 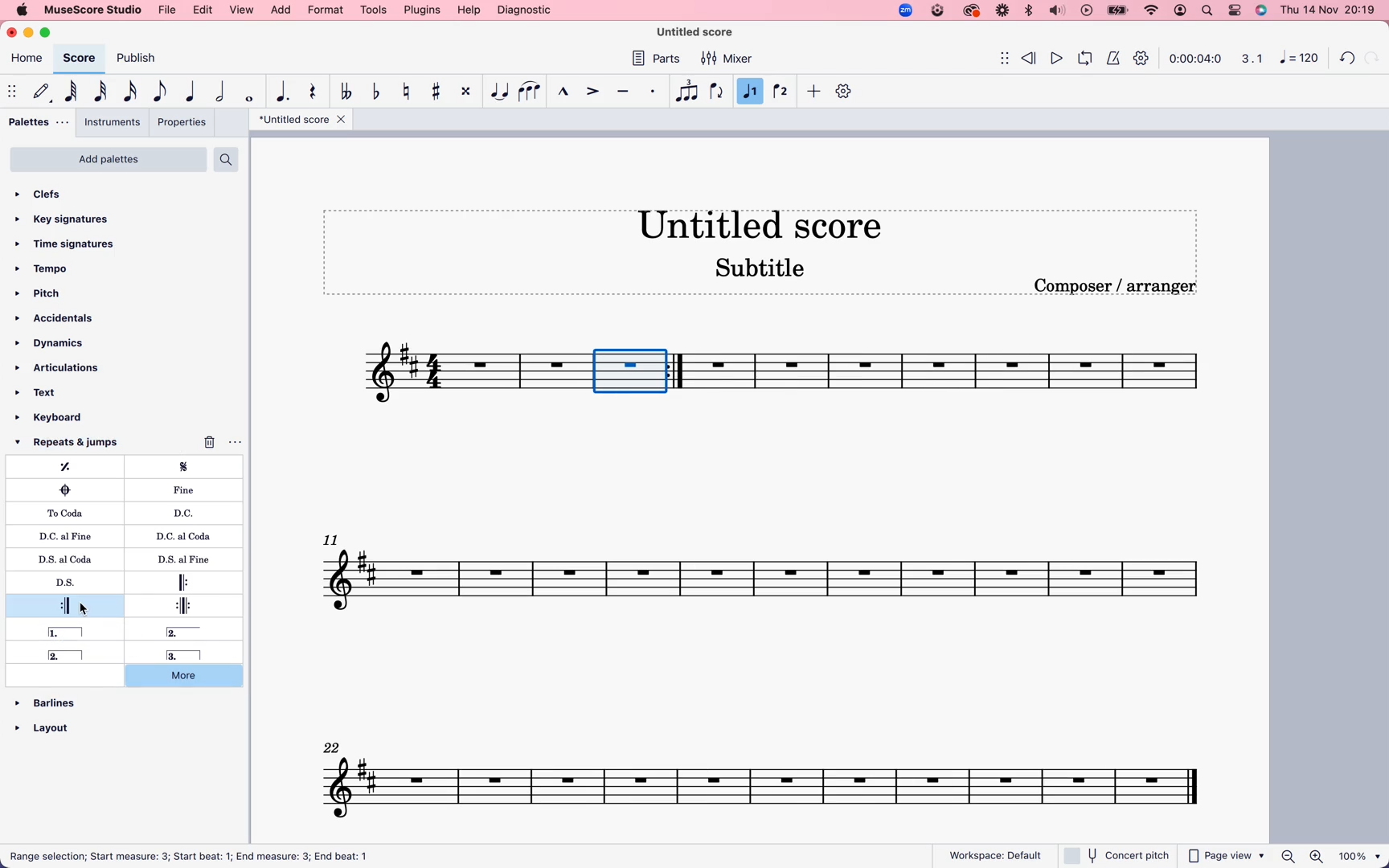 What do you see at coordinates (68, 583) in the screenshot?
I see `d.s` at bounding box center [68, 583].